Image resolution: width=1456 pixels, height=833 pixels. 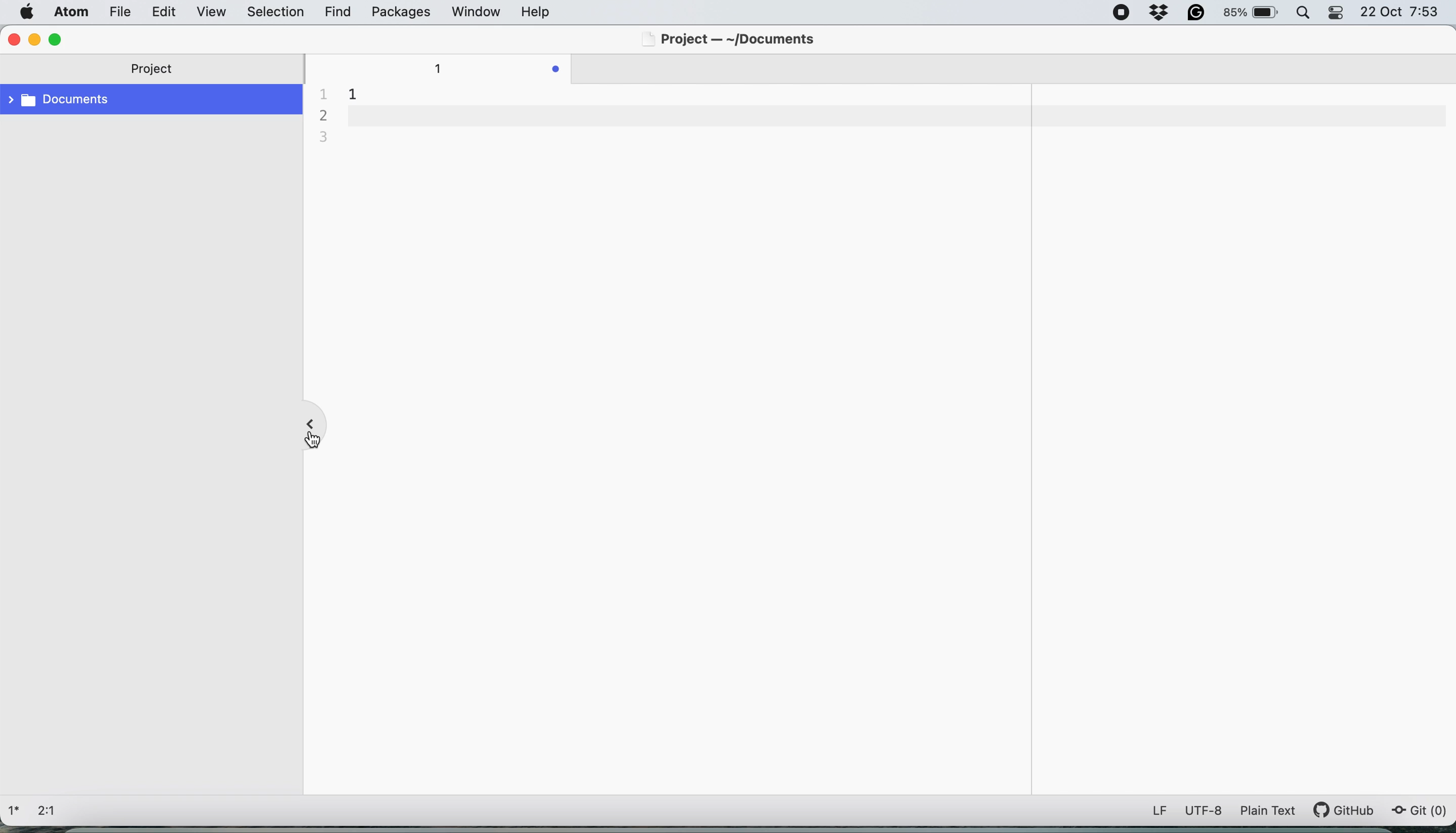 I want to click on utf 8, so click(x=1204, y=812).